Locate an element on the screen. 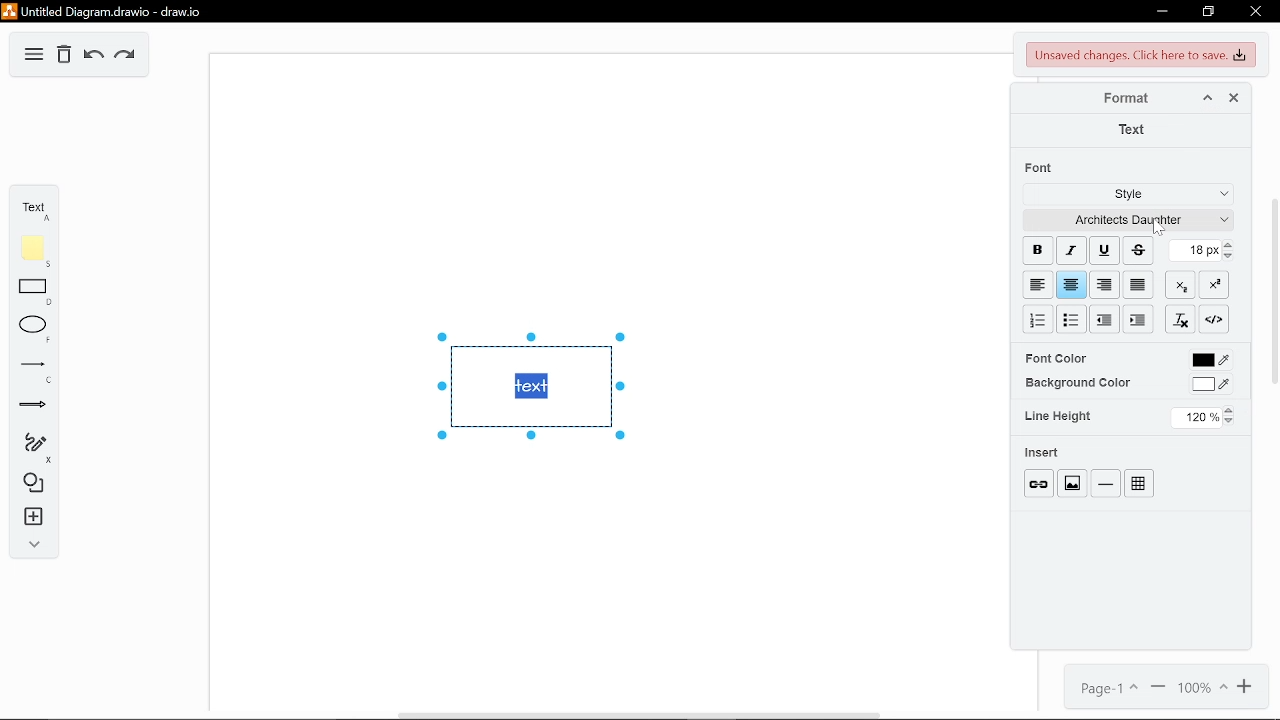  center is located at coordinates (1071, 285).